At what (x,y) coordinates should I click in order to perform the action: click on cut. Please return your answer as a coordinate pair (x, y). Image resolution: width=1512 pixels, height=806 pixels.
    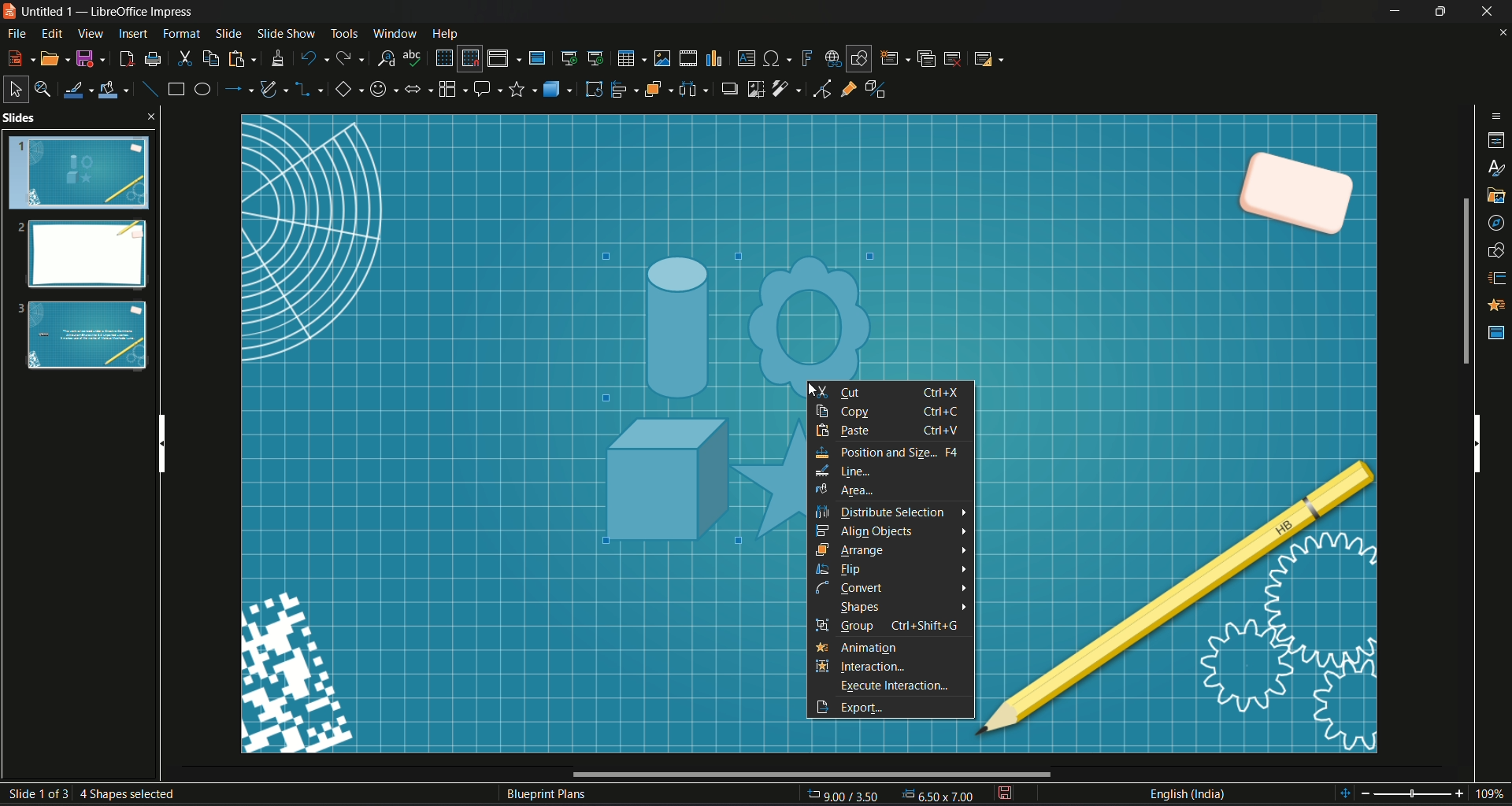
    Looking at the image, I should click on (185, 59).